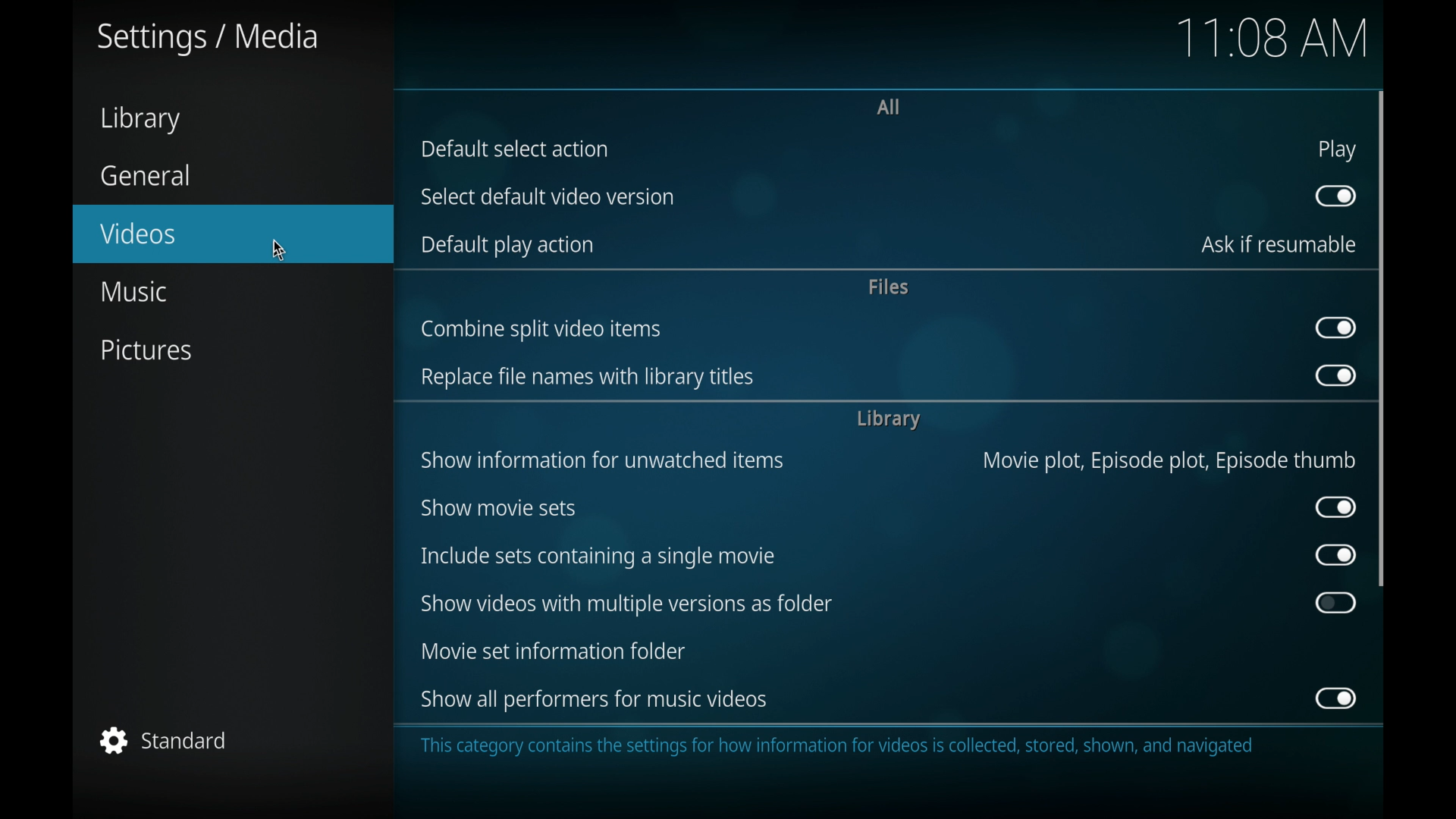 The width and height of the screenshot is (1456, 819). What do you see at coordinates (278, 248) in the screenshot?
I see `cursor` at bounding box center [278, 248].